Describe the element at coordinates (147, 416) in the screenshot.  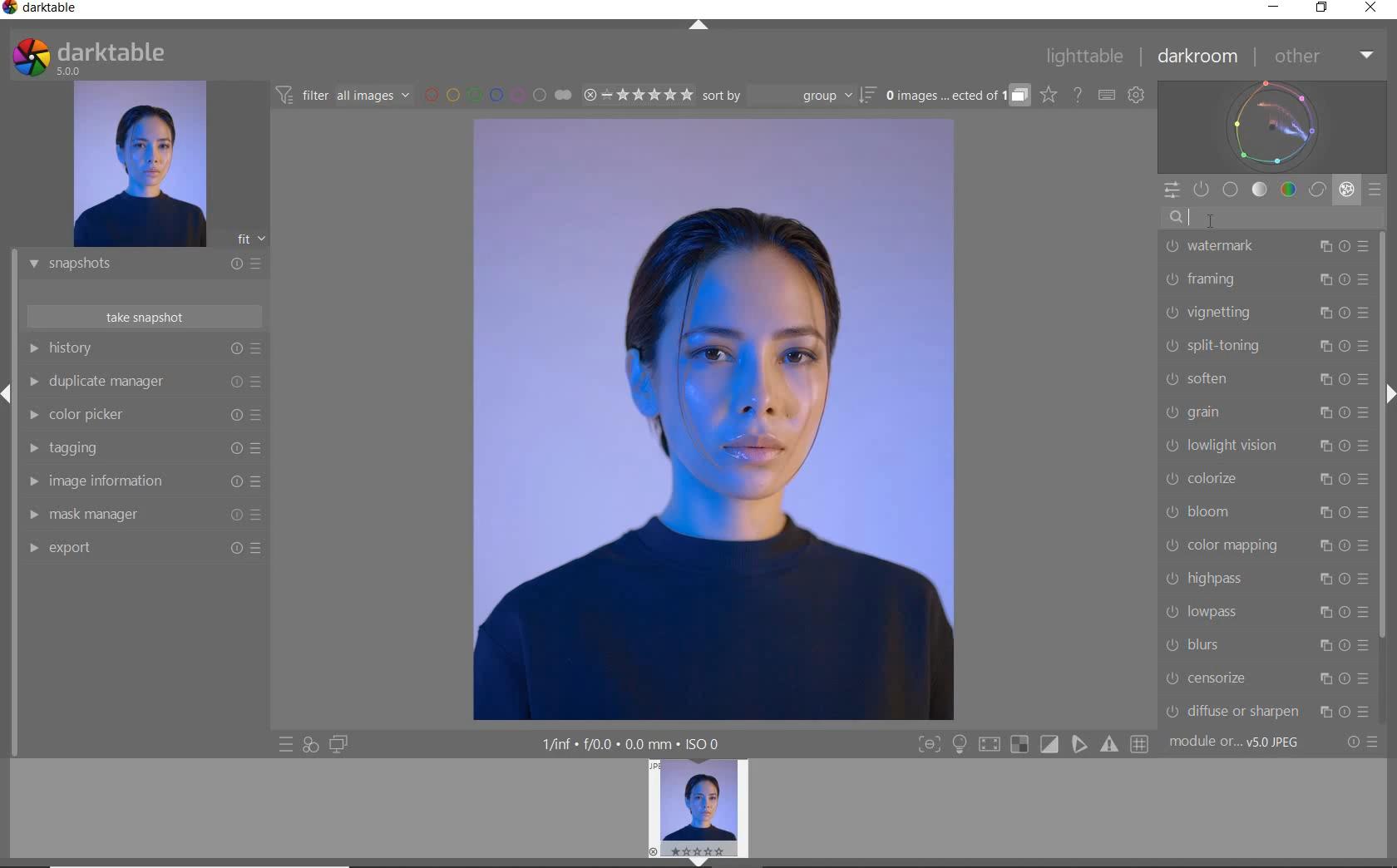
I see `COLOR PICKER` at that location.